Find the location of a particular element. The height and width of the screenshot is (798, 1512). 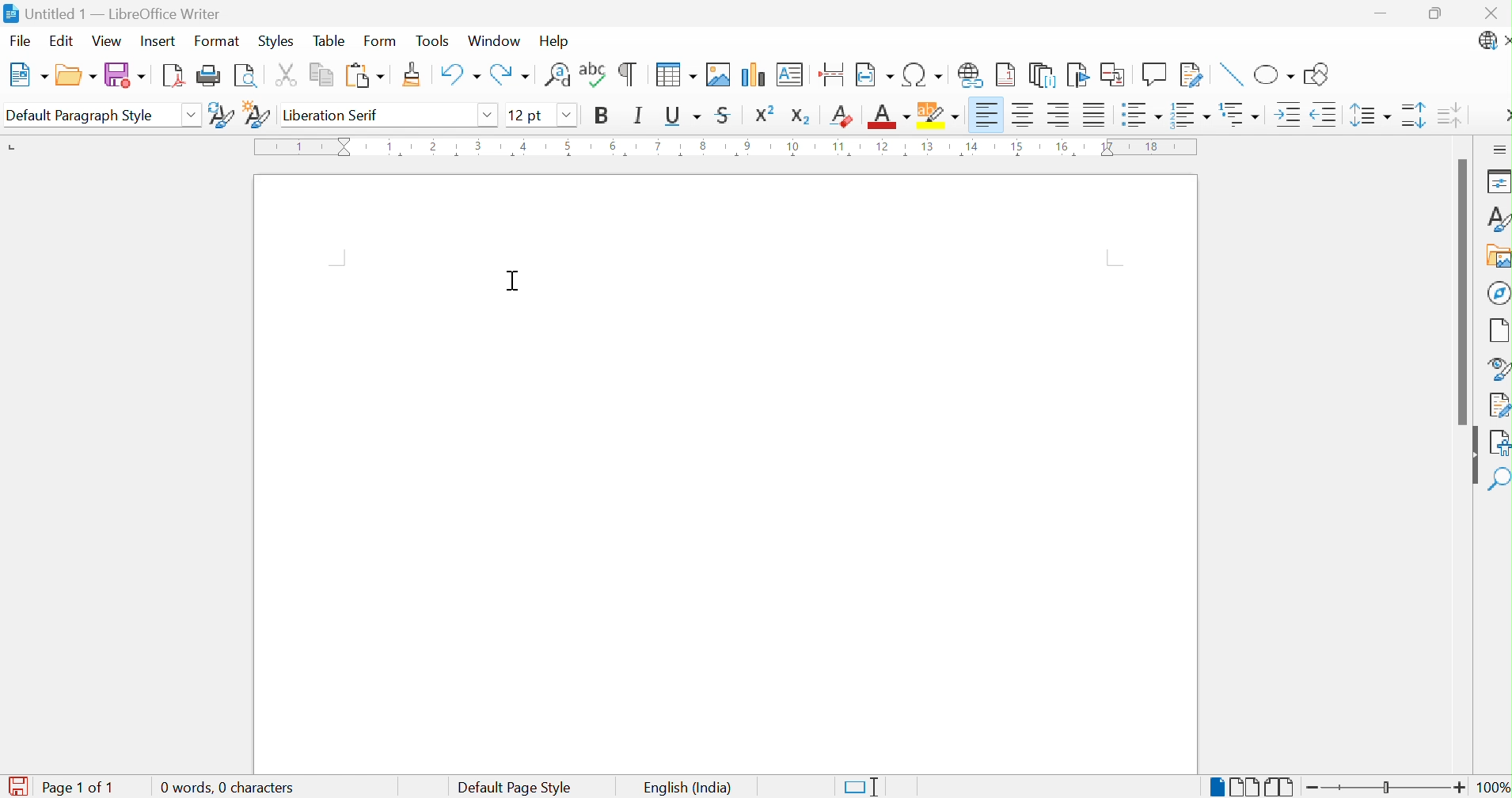

Underline is located at coordinates (685, 115).